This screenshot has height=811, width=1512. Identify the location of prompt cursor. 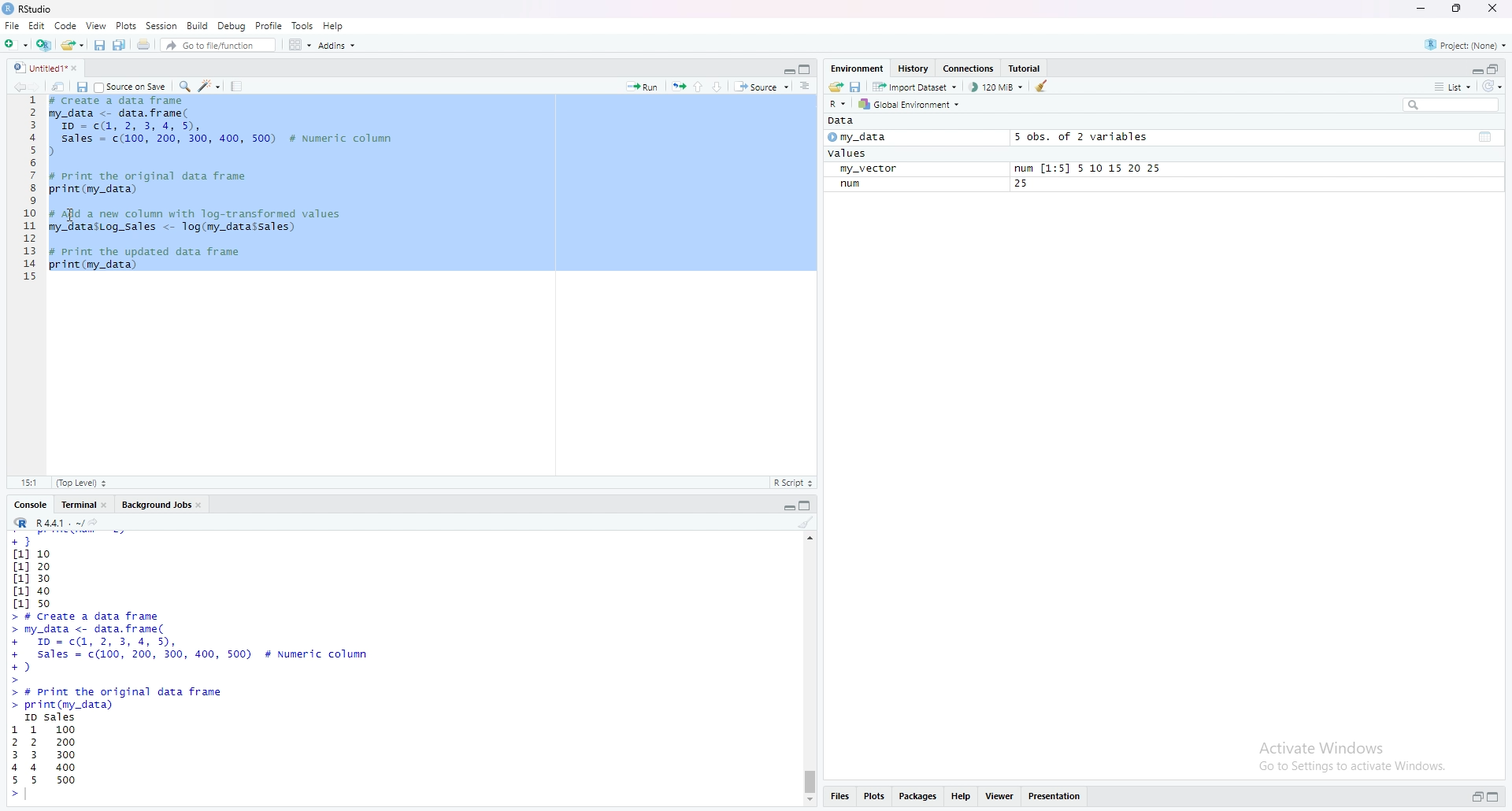
(10, 799).